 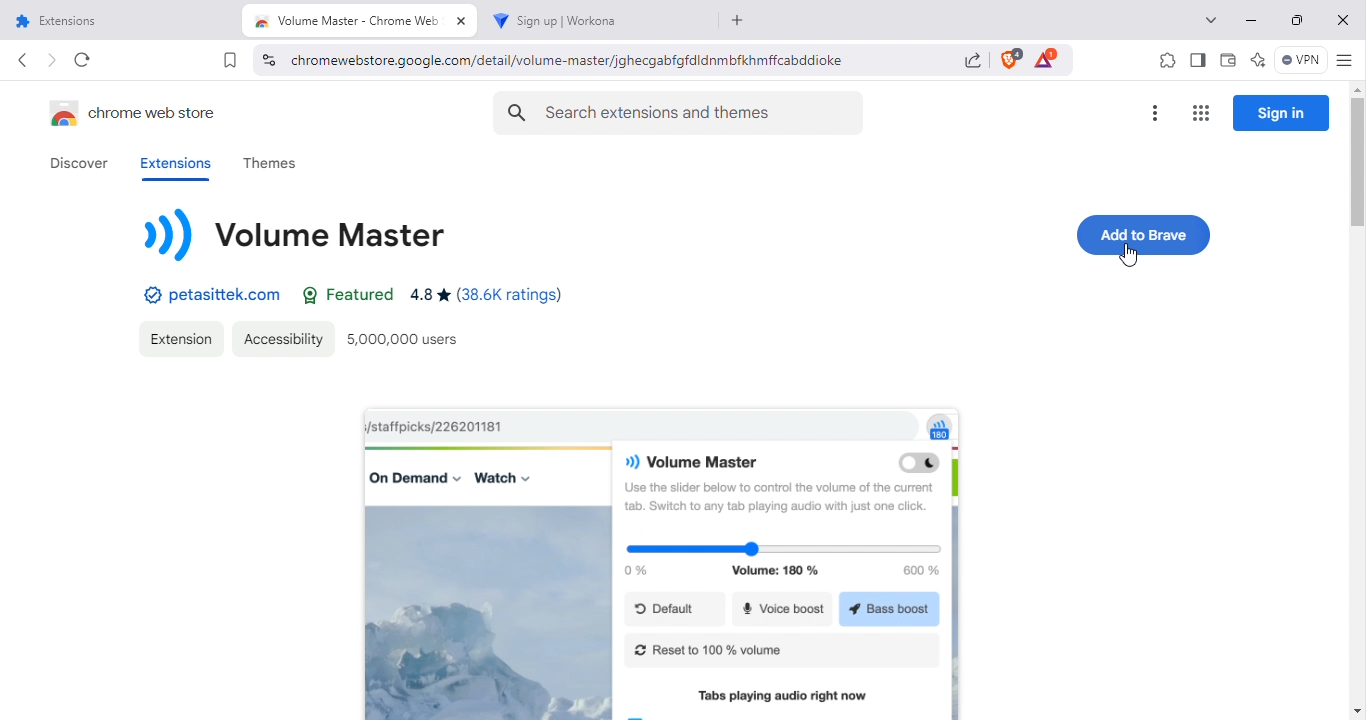 What do you see at coordinates (1354, 397) in the screenshot?
I see `Scroll bar` at bounding box center [1354, 397].